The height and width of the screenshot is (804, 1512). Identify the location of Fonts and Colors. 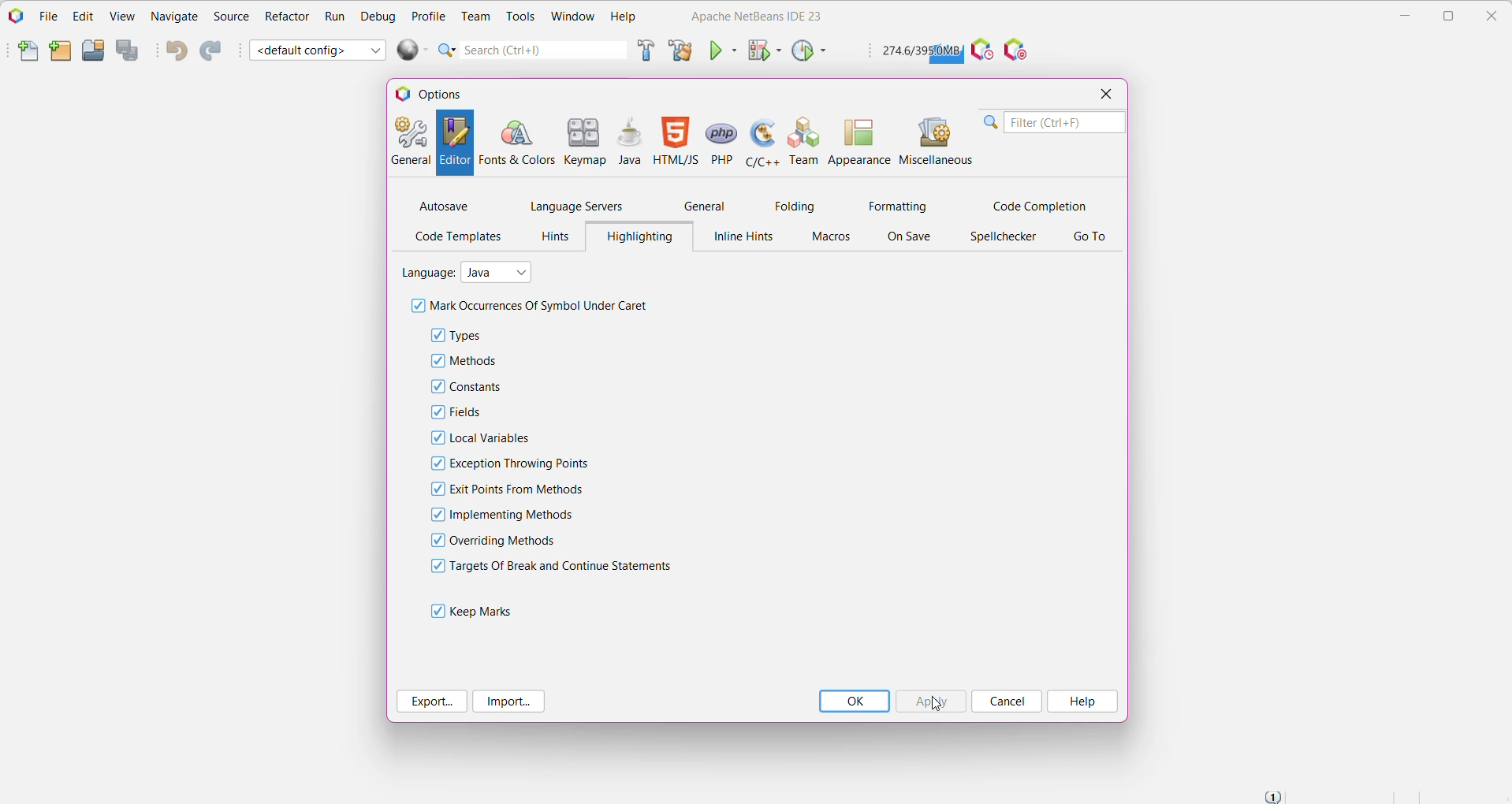
(516, 141).